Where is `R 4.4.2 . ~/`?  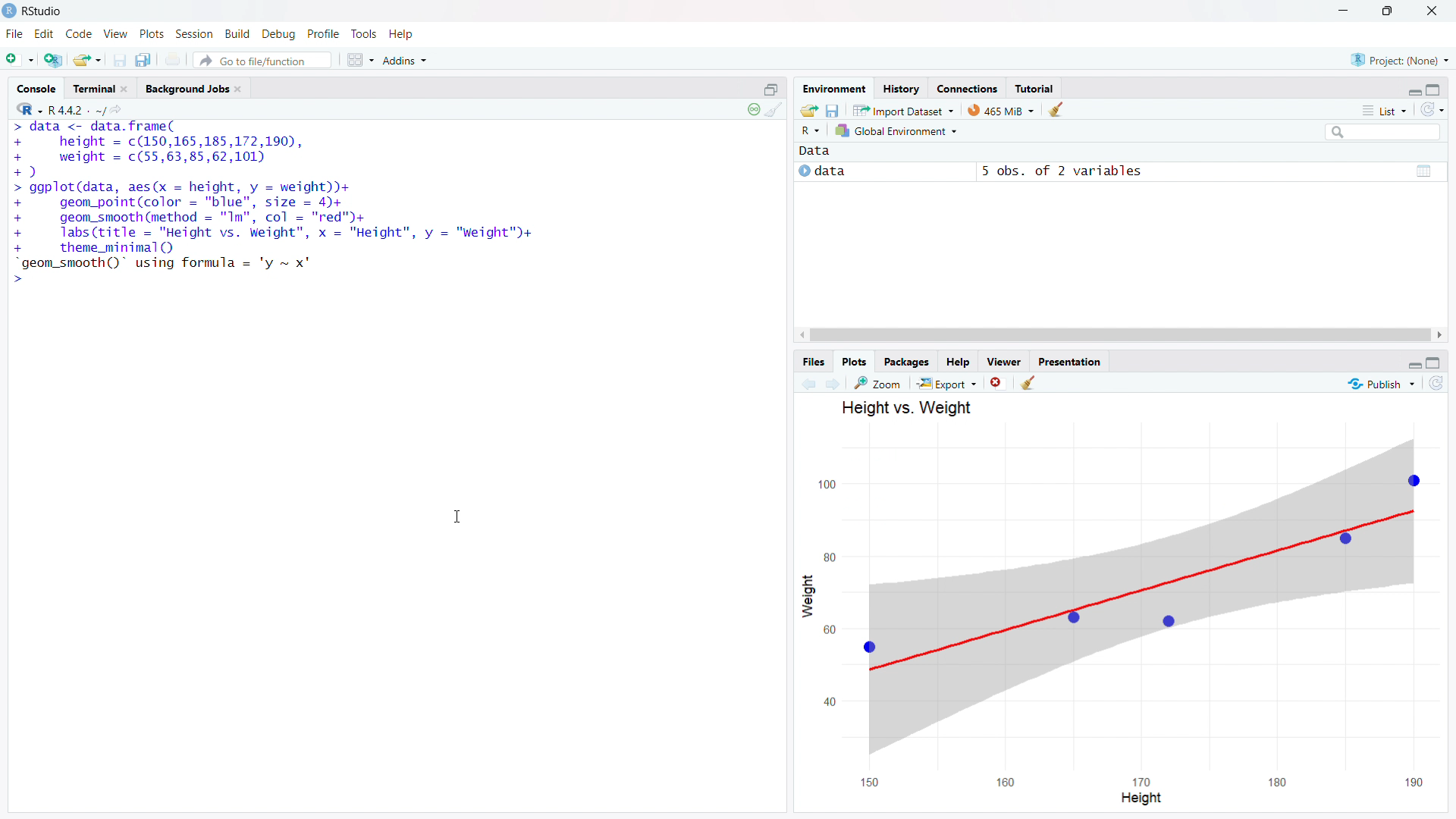 R 4.4.2 . ~/ is located at coordinates (77, 108).